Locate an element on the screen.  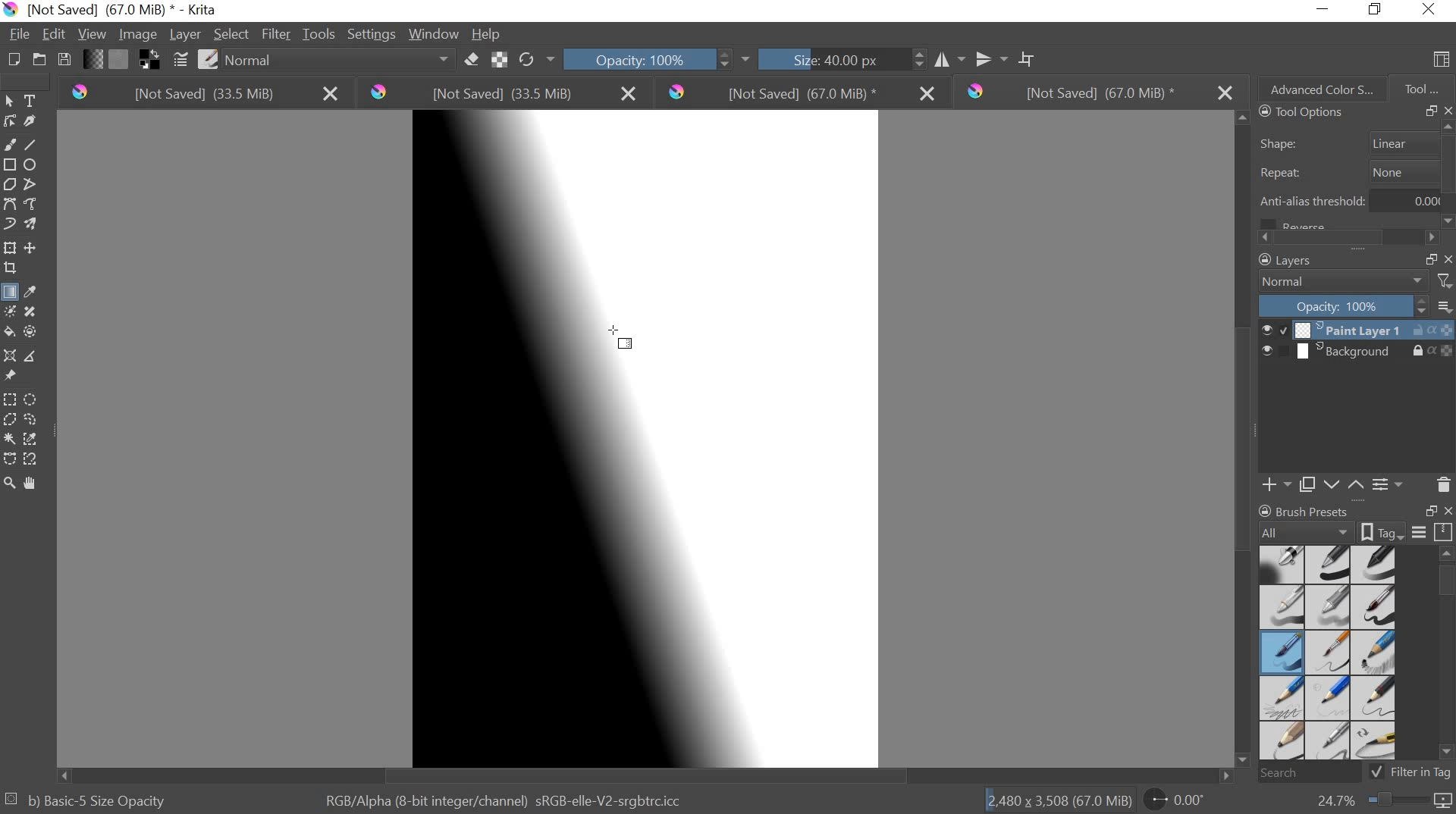
reference images is located at coordinates (13, 375).